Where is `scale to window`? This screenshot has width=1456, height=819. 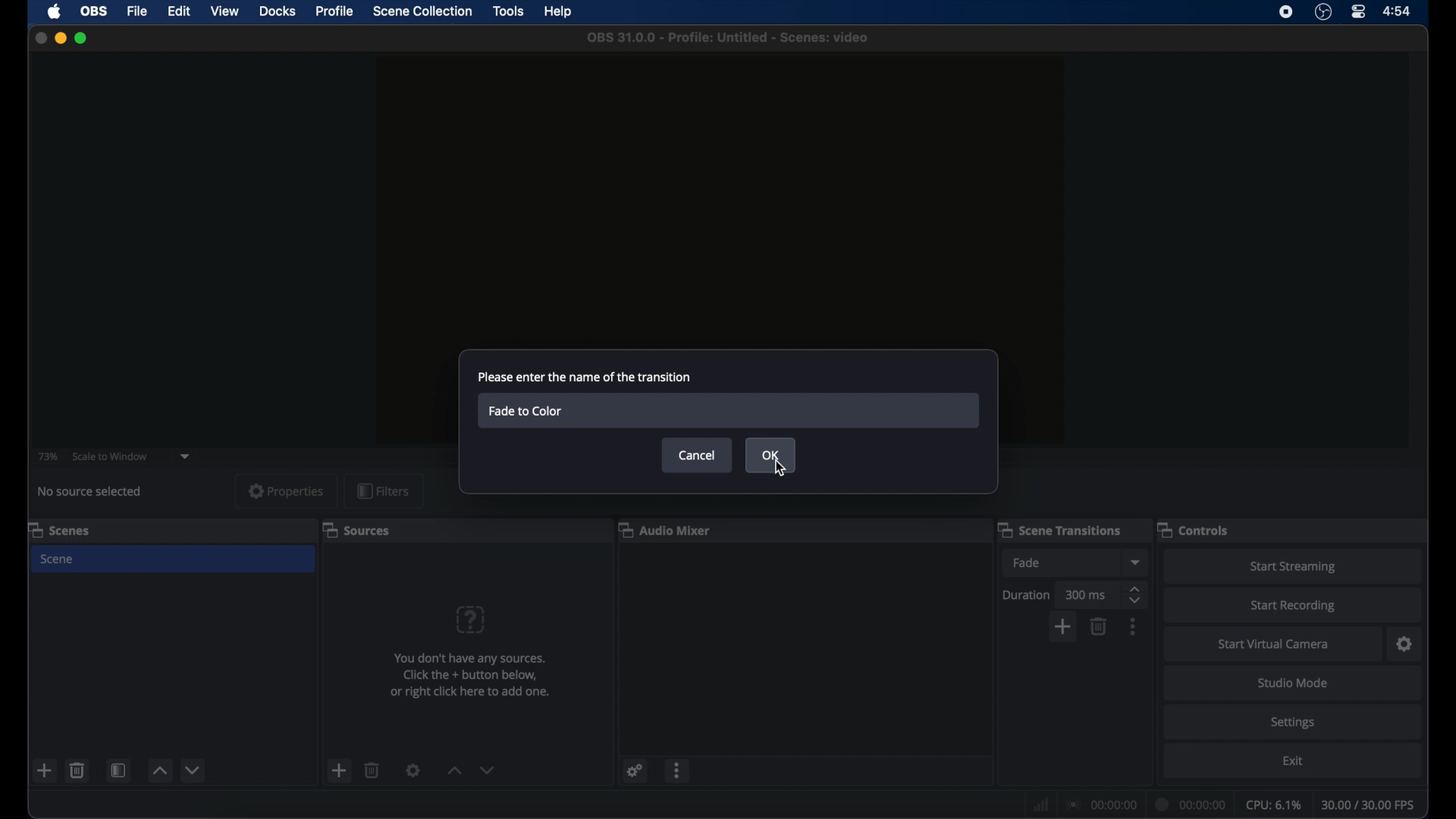
scale to window is located at coordinates (111, 457).